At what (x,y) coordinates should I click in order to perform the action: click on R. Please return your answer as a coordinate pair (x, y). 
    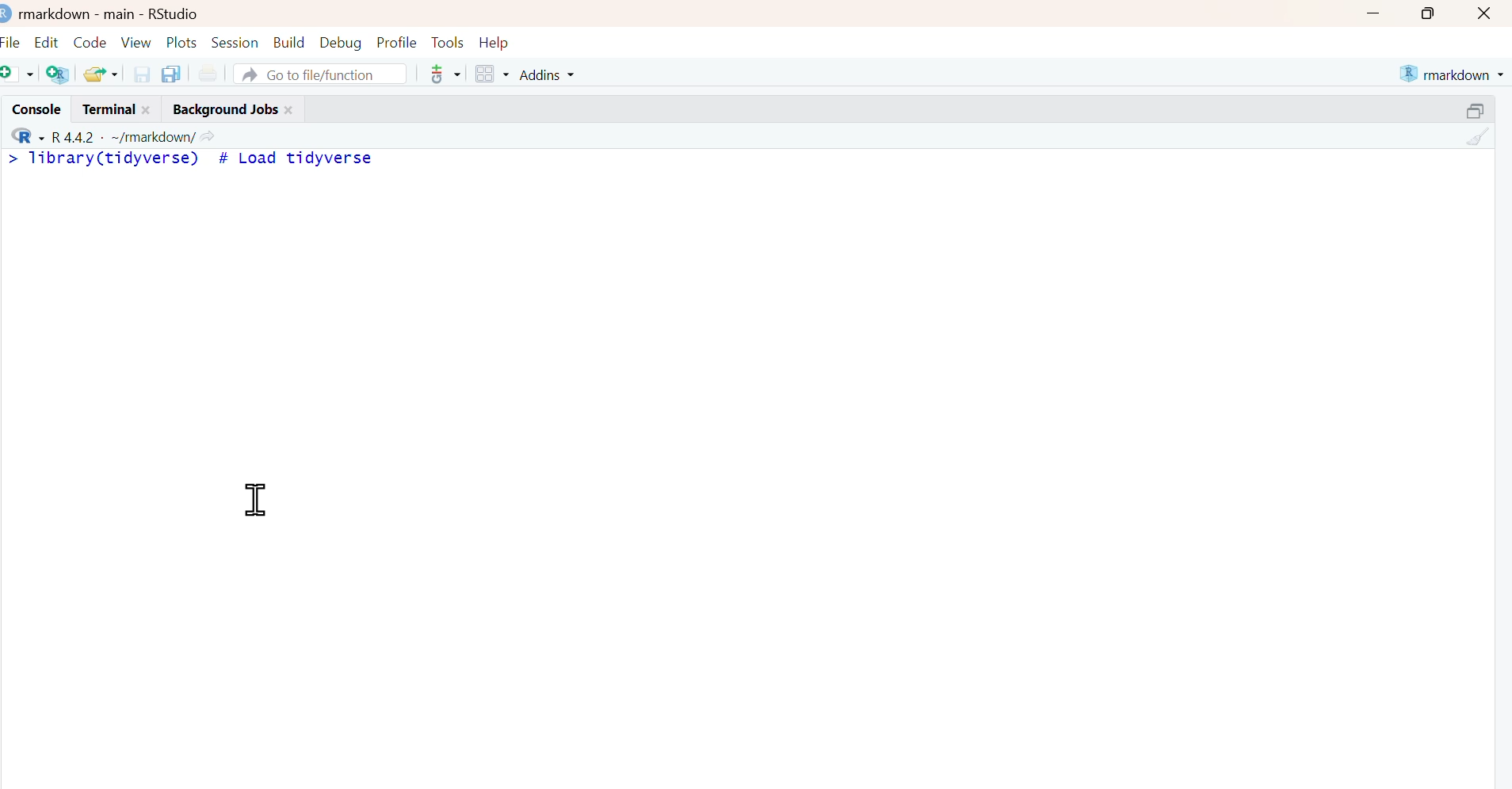
    Looking at the image, I should click on (25, 135).